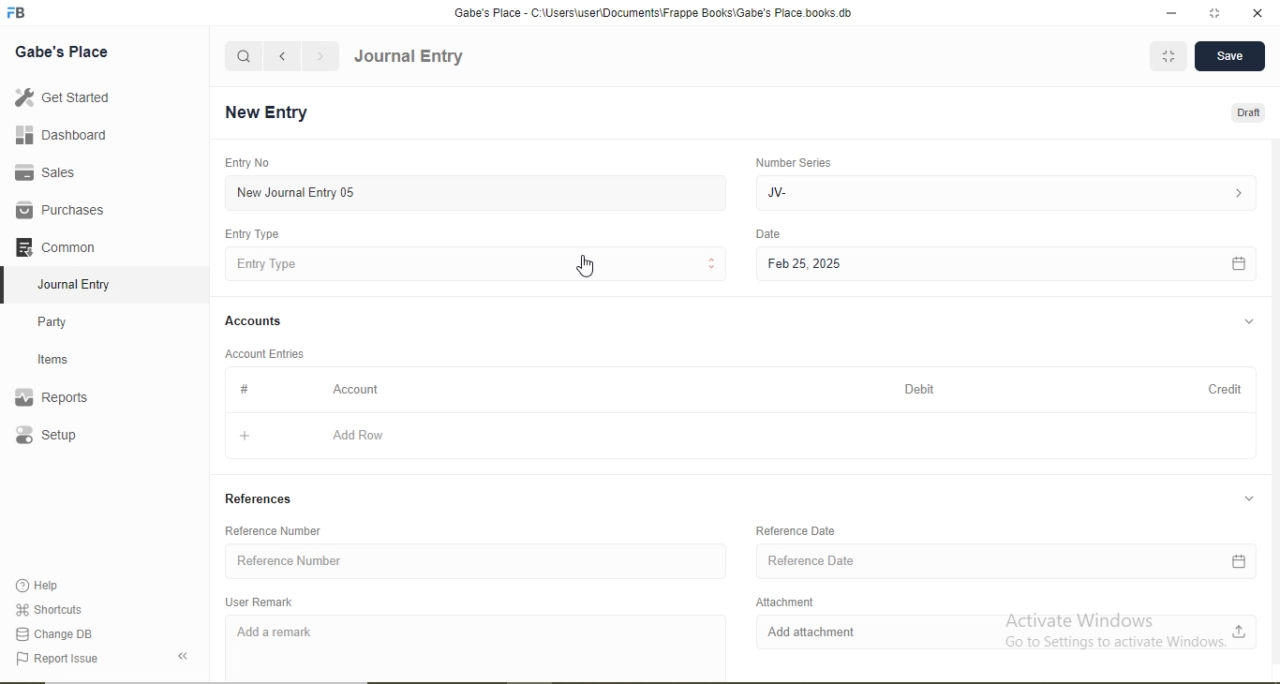 The width and height of the screenshot is (1280, 684). Describe the element at coordinates (55, 136) in the screenshot. I see `Dashboard` at that location.